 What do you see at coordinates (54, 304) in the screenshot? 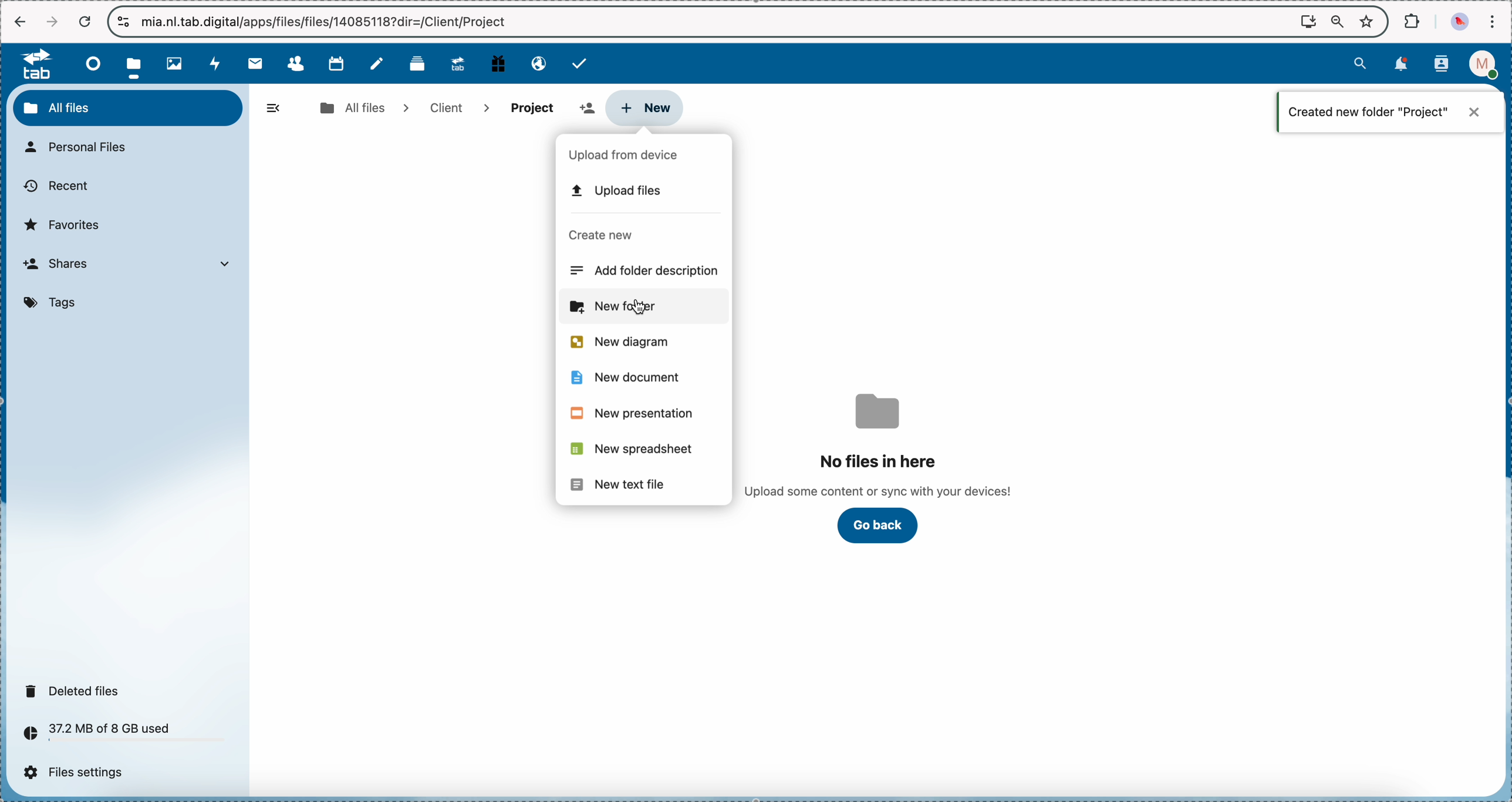
I see `tags` at bounding box center [54, 304].